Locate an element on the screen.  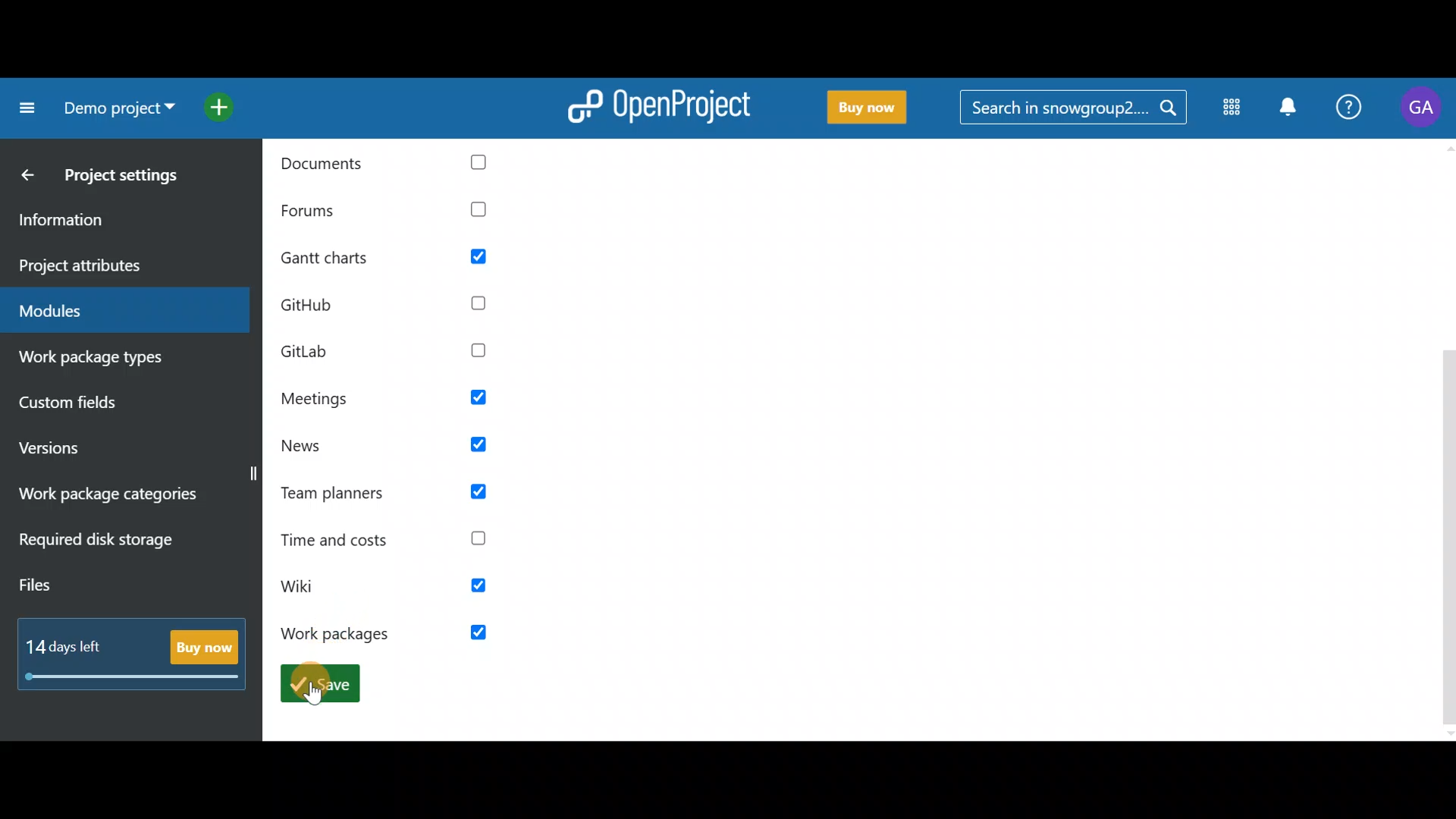
save is located at coordinates (319, 682).